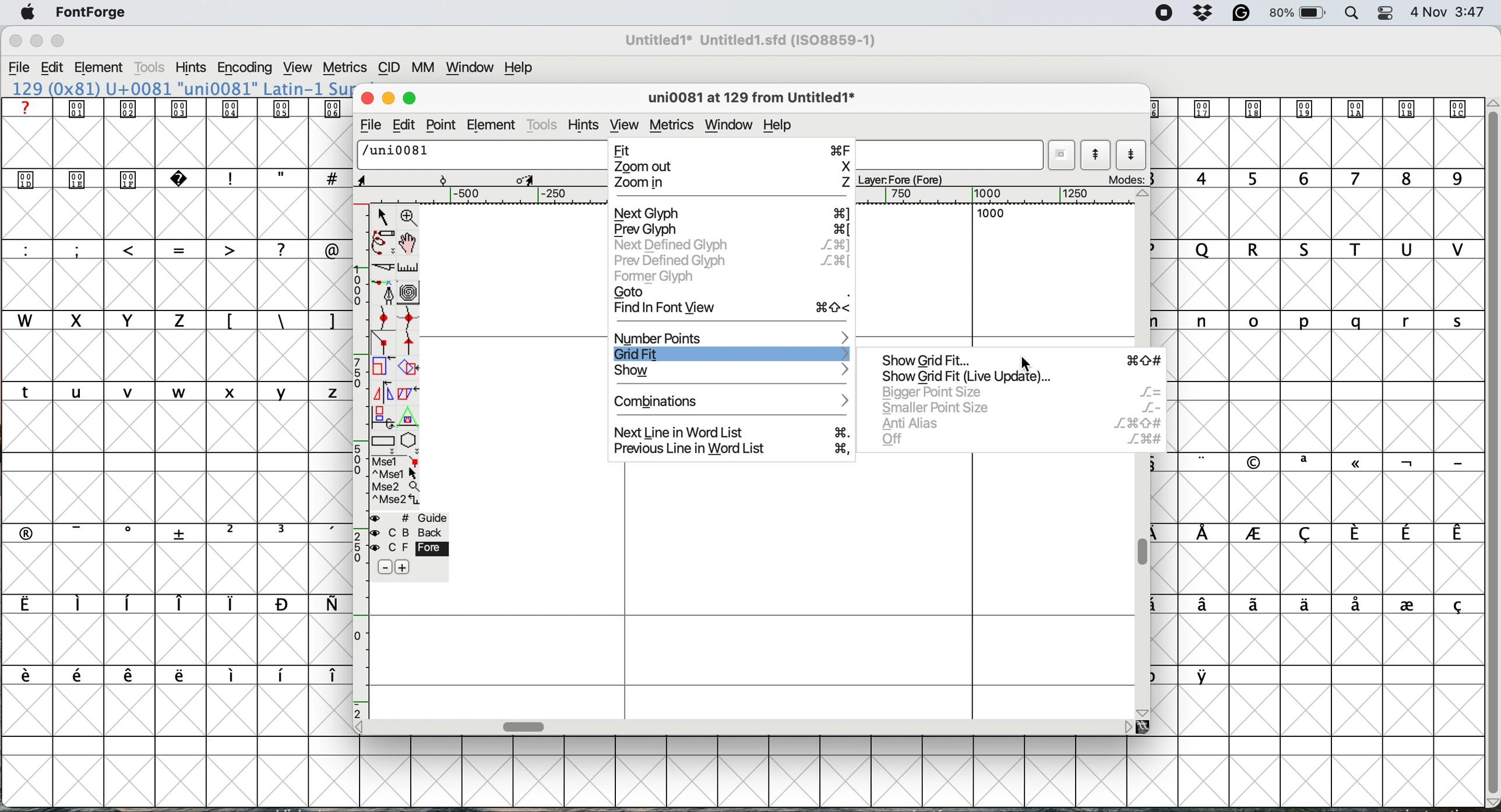  What do you see at coordinates (1064, 156) in the screenshot?
I see `word list` at bounding box center [1064, 156].